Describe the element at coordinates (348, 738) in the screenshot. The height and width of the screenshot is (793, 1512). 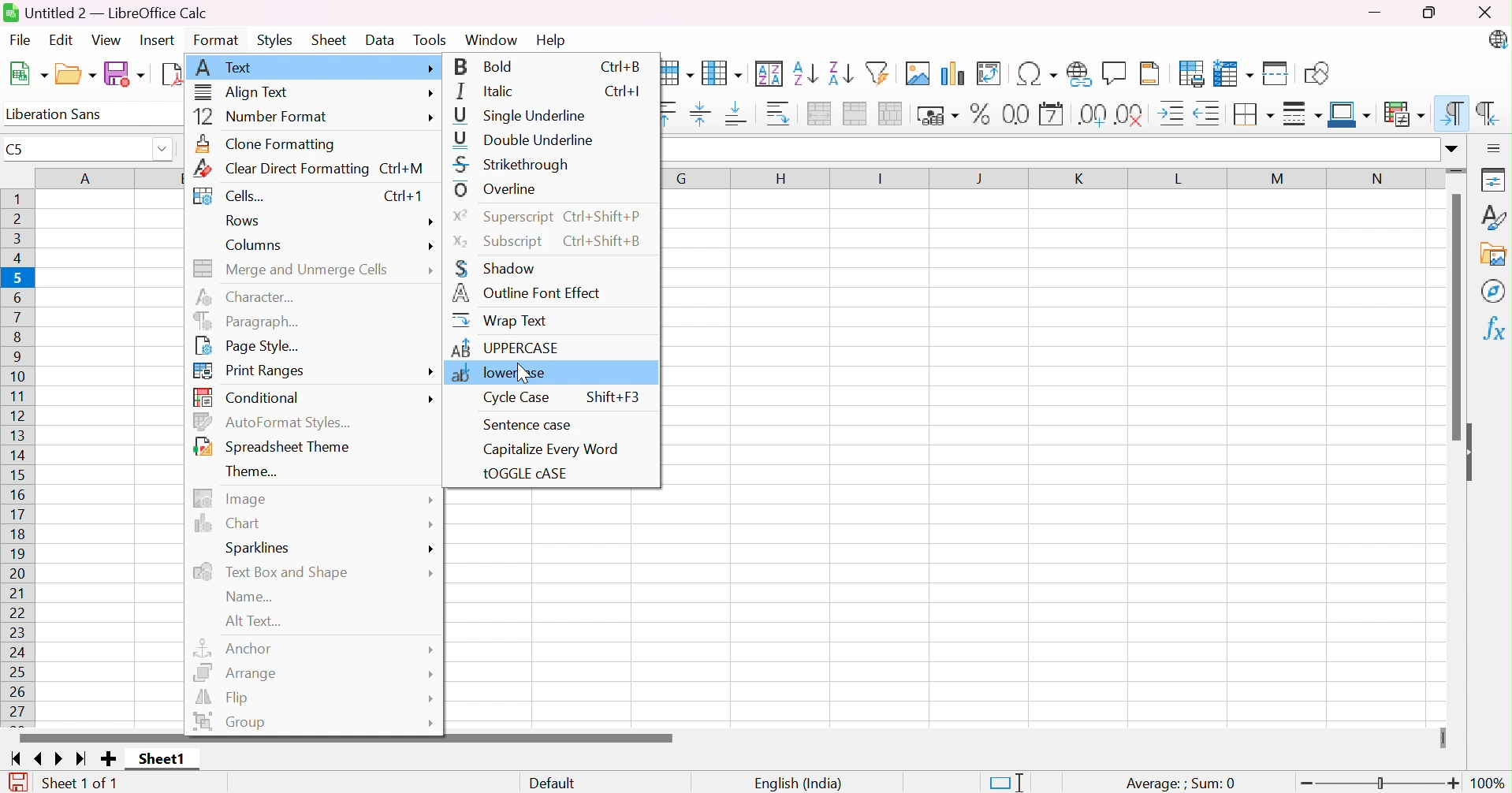
I see `Scroll Bar` at that location.